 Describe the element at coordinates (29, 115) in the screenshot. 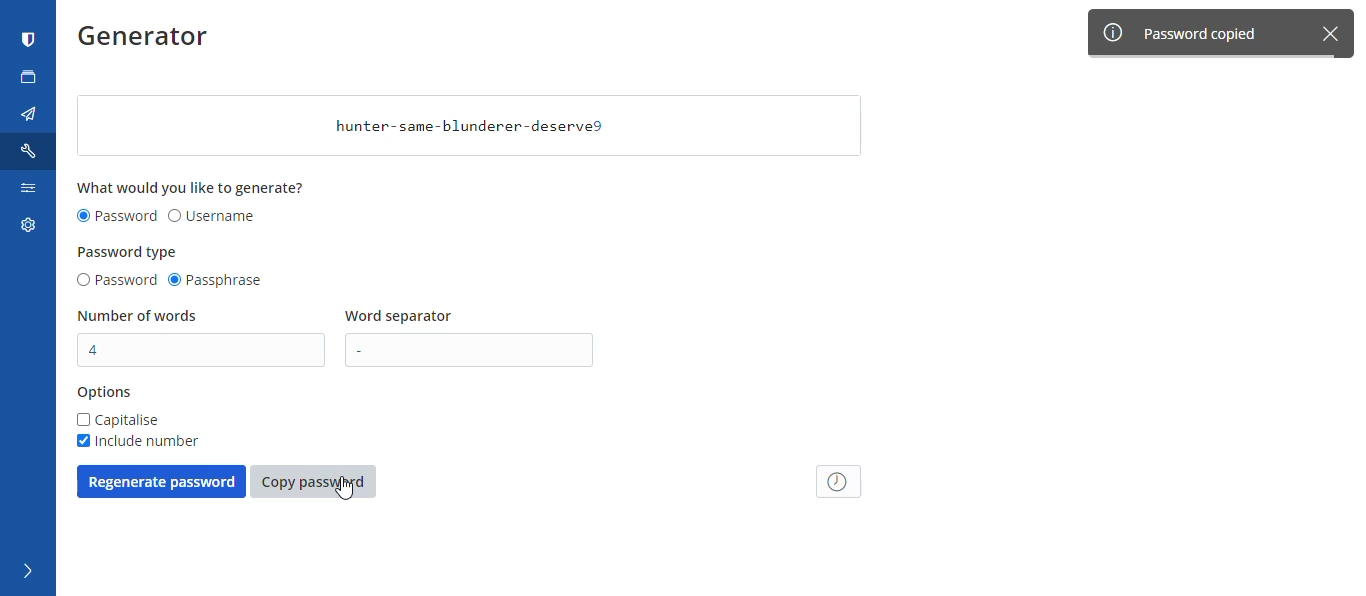

I see `send` at that location.